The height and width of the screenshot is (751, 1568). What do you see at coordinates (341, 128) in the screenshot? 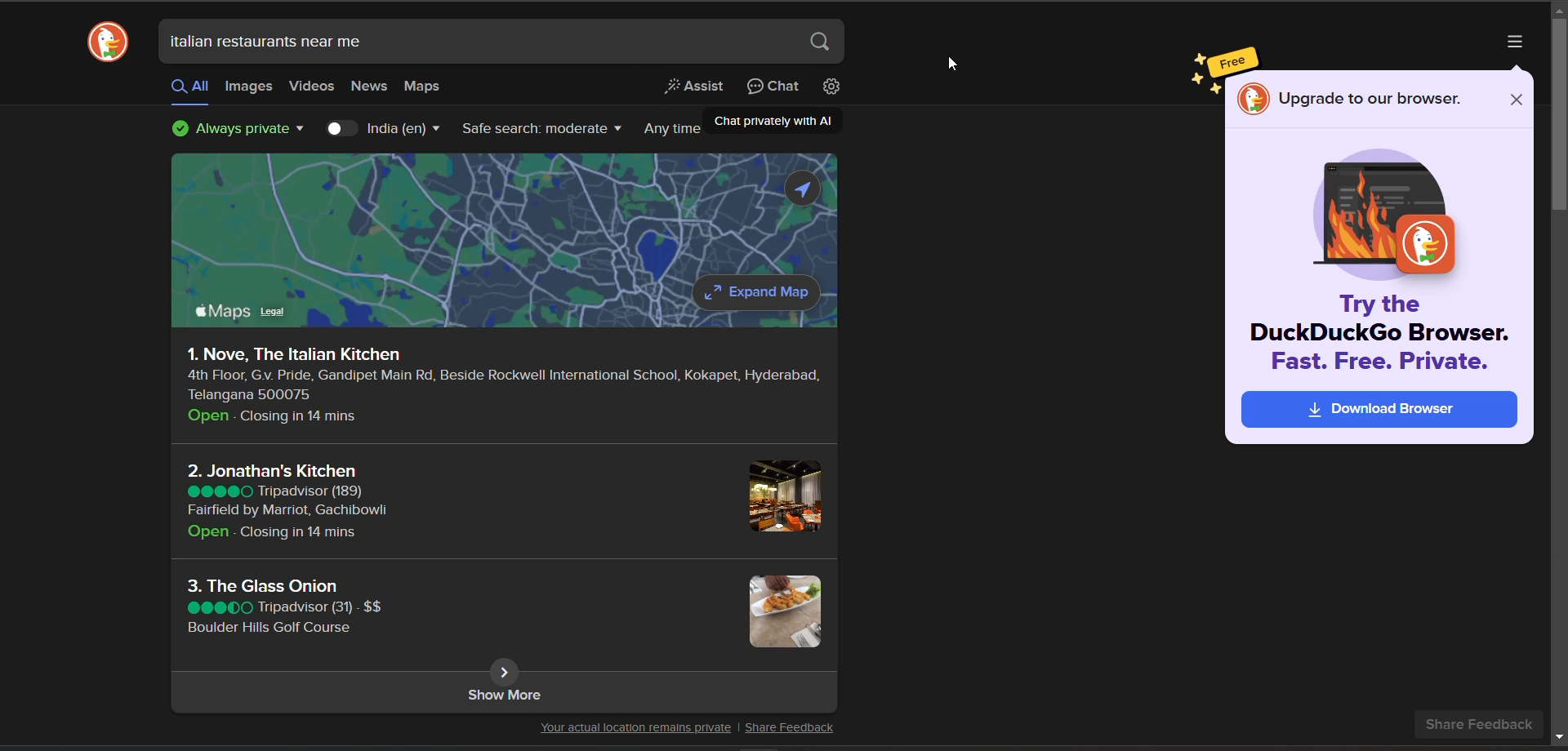
I see `country toggle key` at bounding box center [341, 128].